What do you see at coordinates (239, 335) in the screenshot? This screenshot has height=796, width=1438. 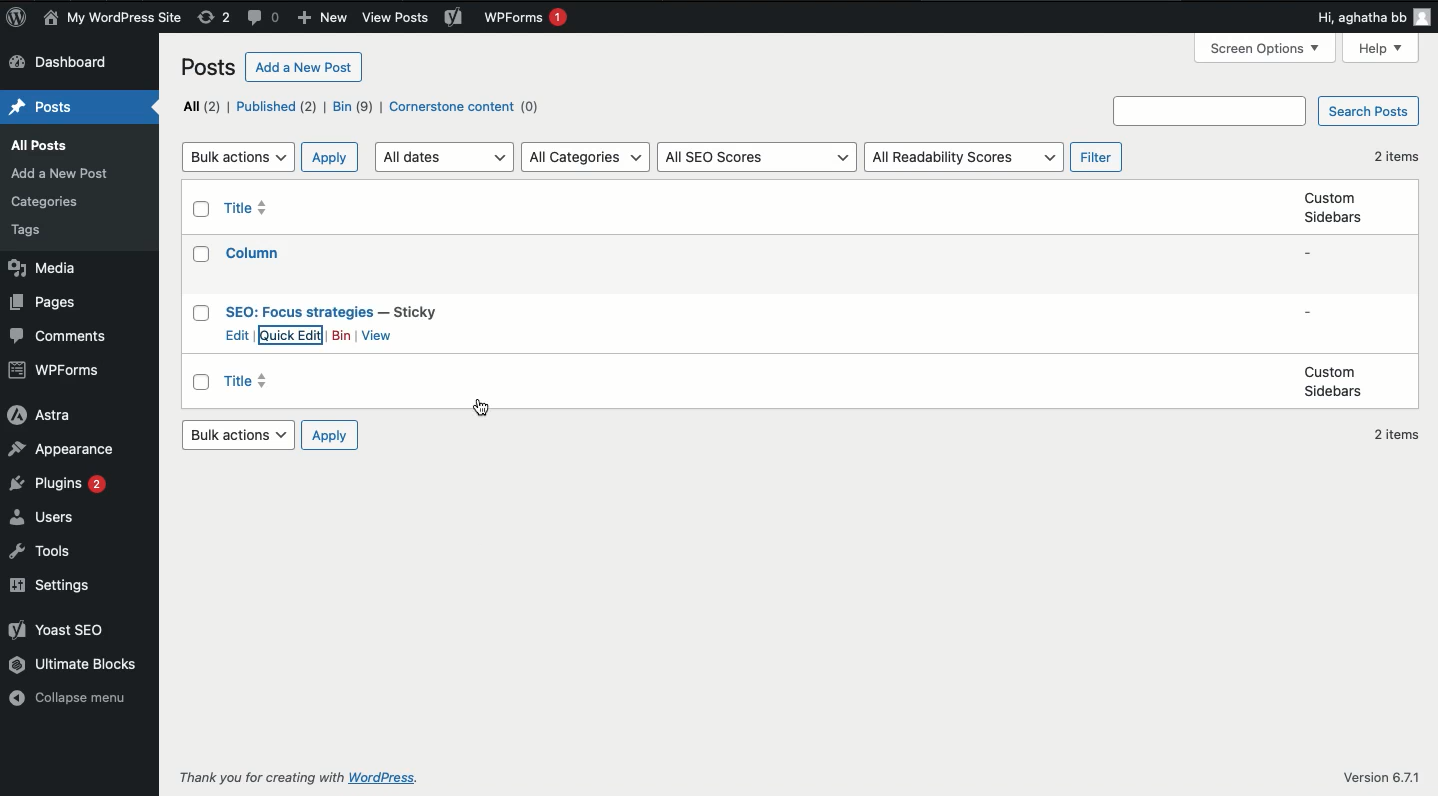 I see `Edit` at bounding box center [239, 335].